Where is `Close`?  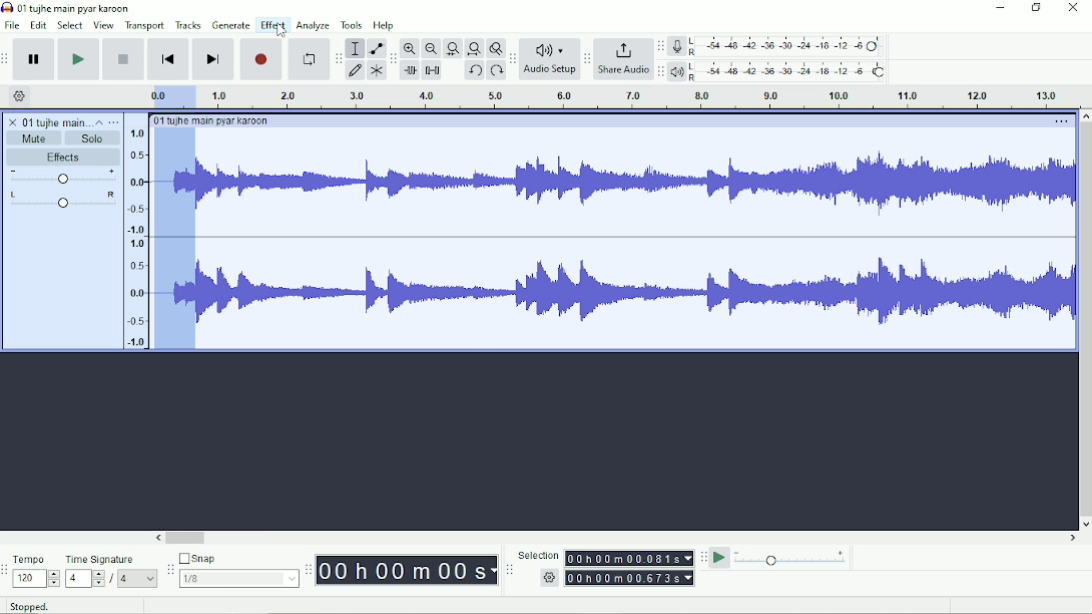 Close is located at coordinates (1072, 9).